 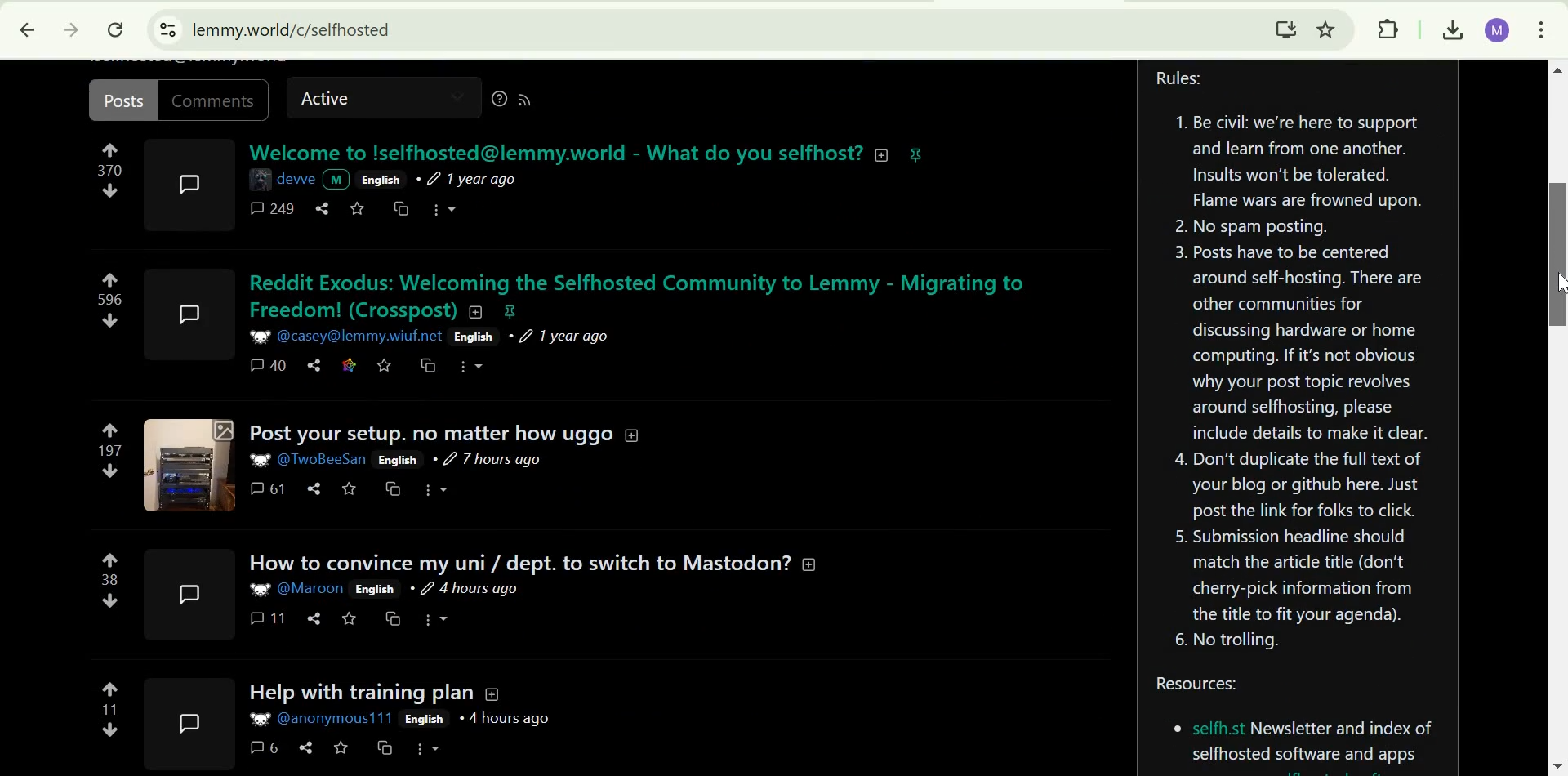 I want to click on downvote, so click(x=113, y=471).